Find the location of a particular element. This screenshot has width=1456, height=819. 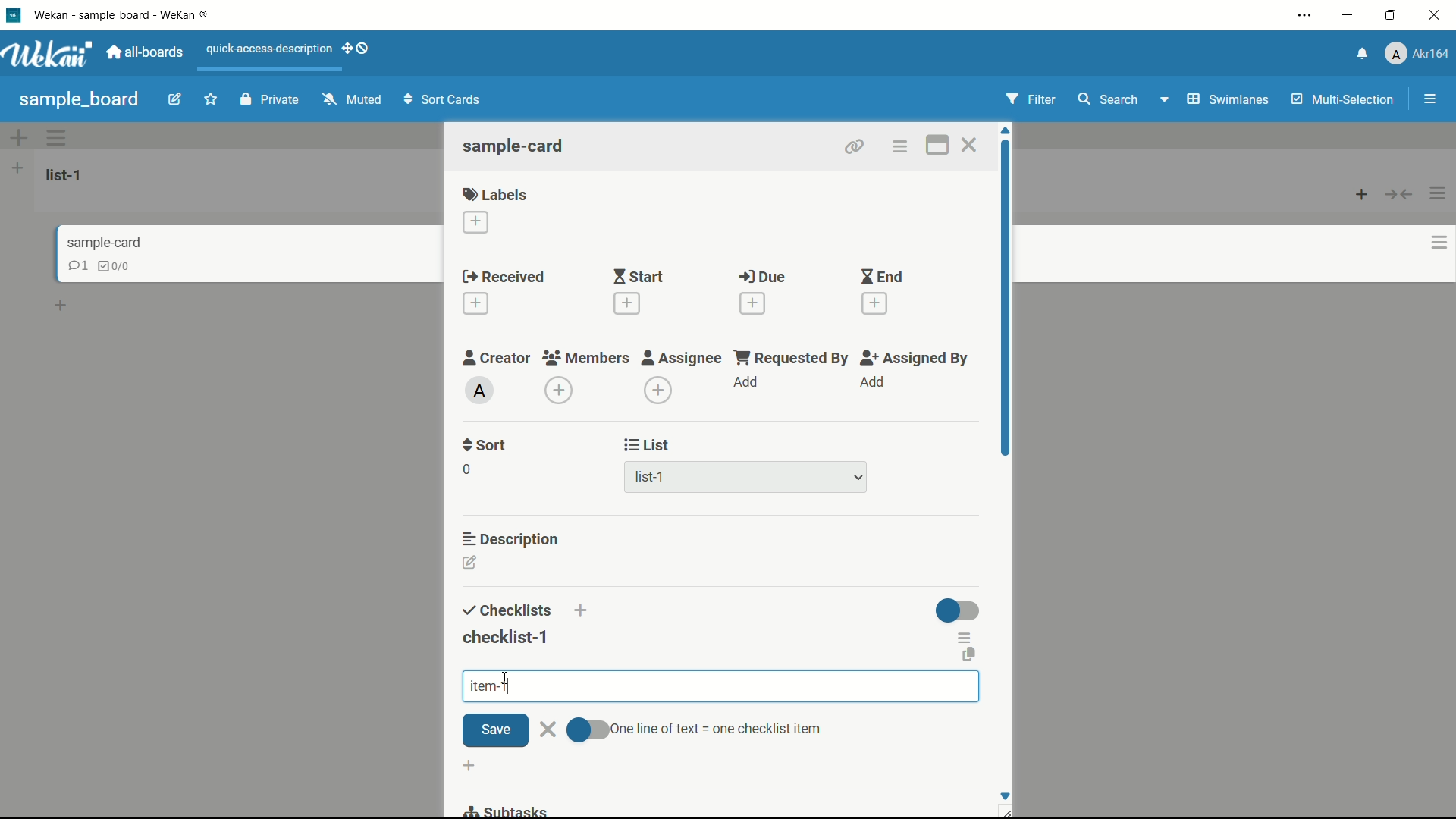

close card is located at coordinates (971, 145).